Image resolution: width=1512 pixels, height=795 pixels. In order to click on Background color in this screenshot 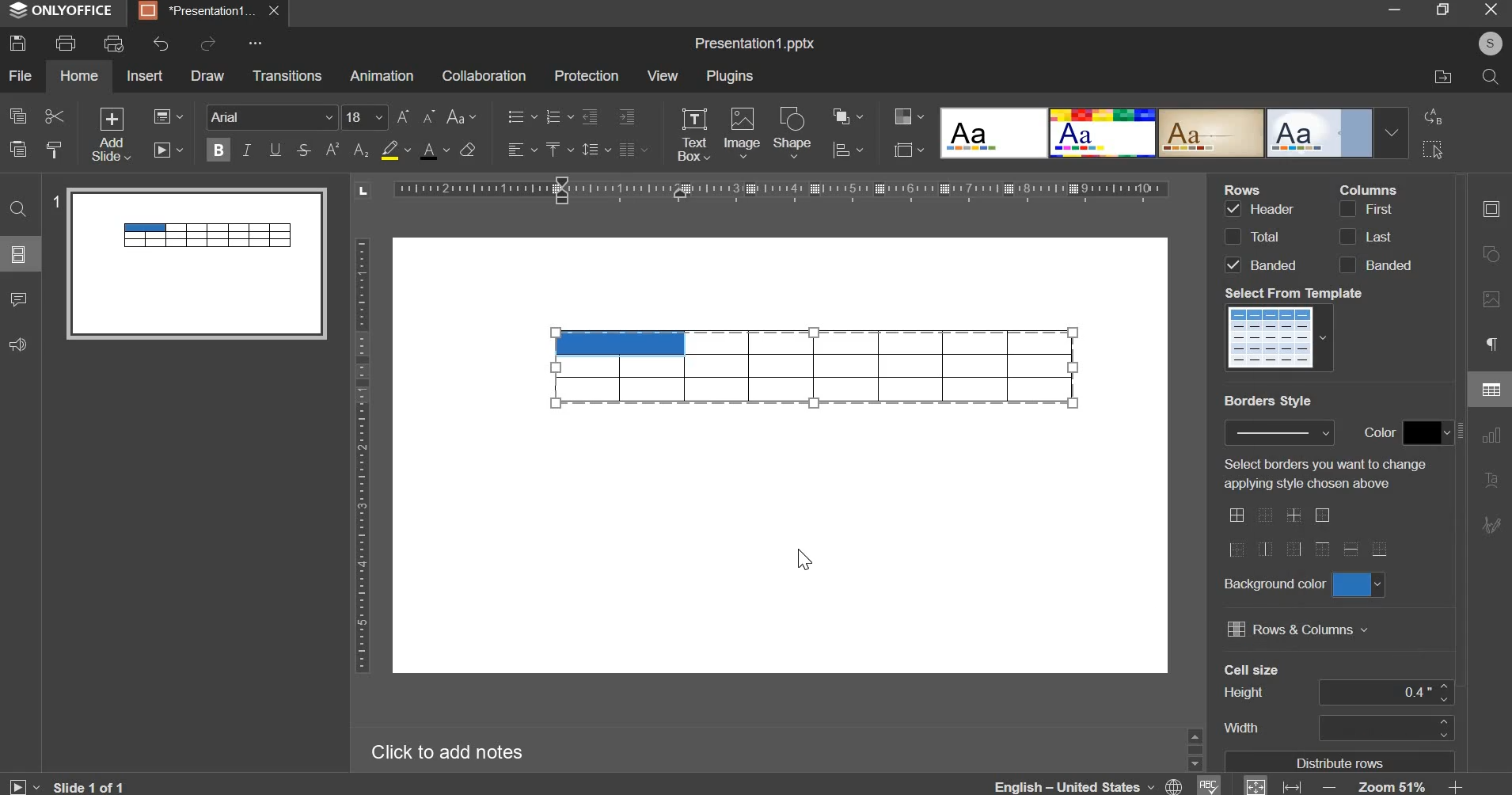, I will do `click(1273, 584)`.